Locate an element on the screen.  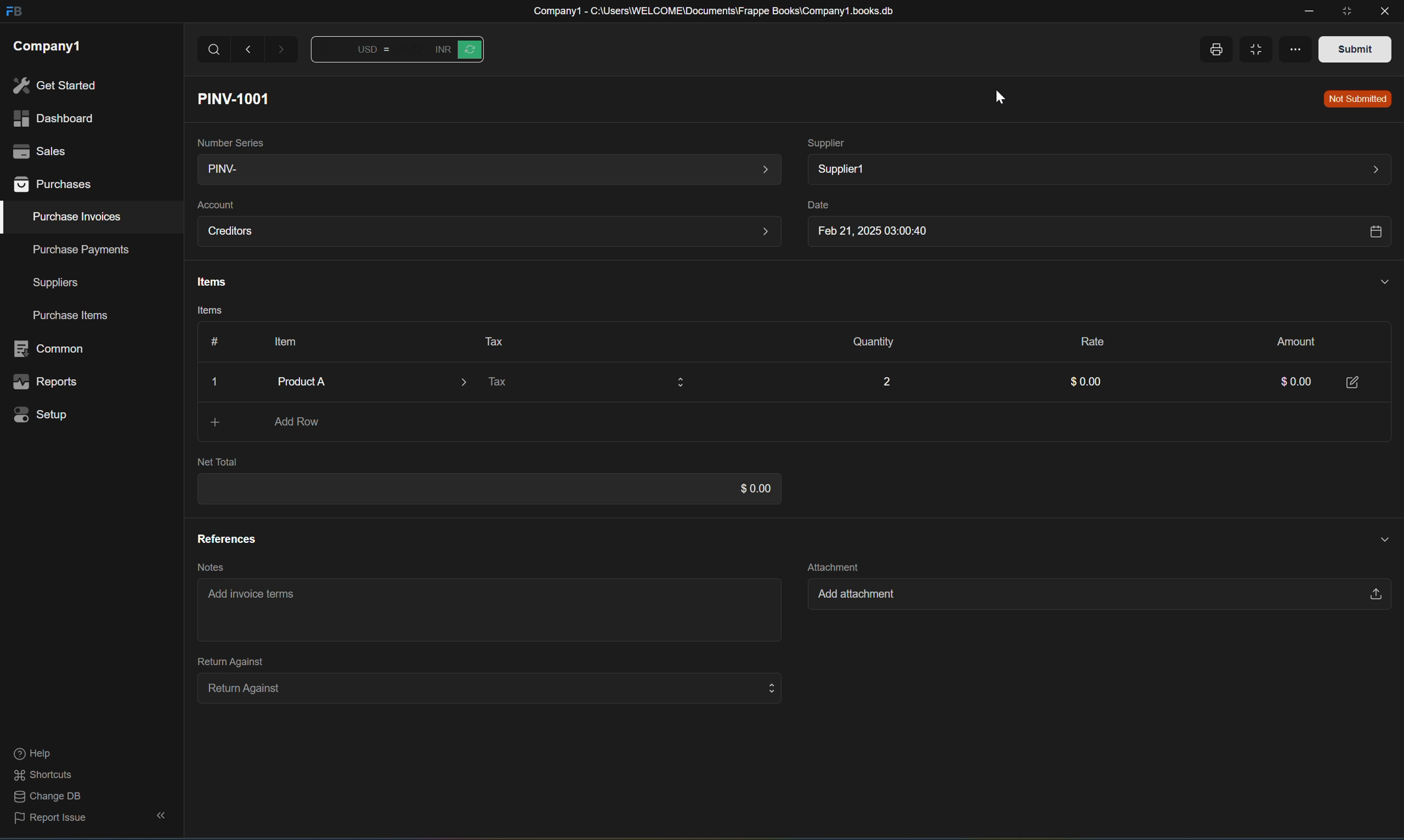
PINV- is located at coordinates (485, 170).